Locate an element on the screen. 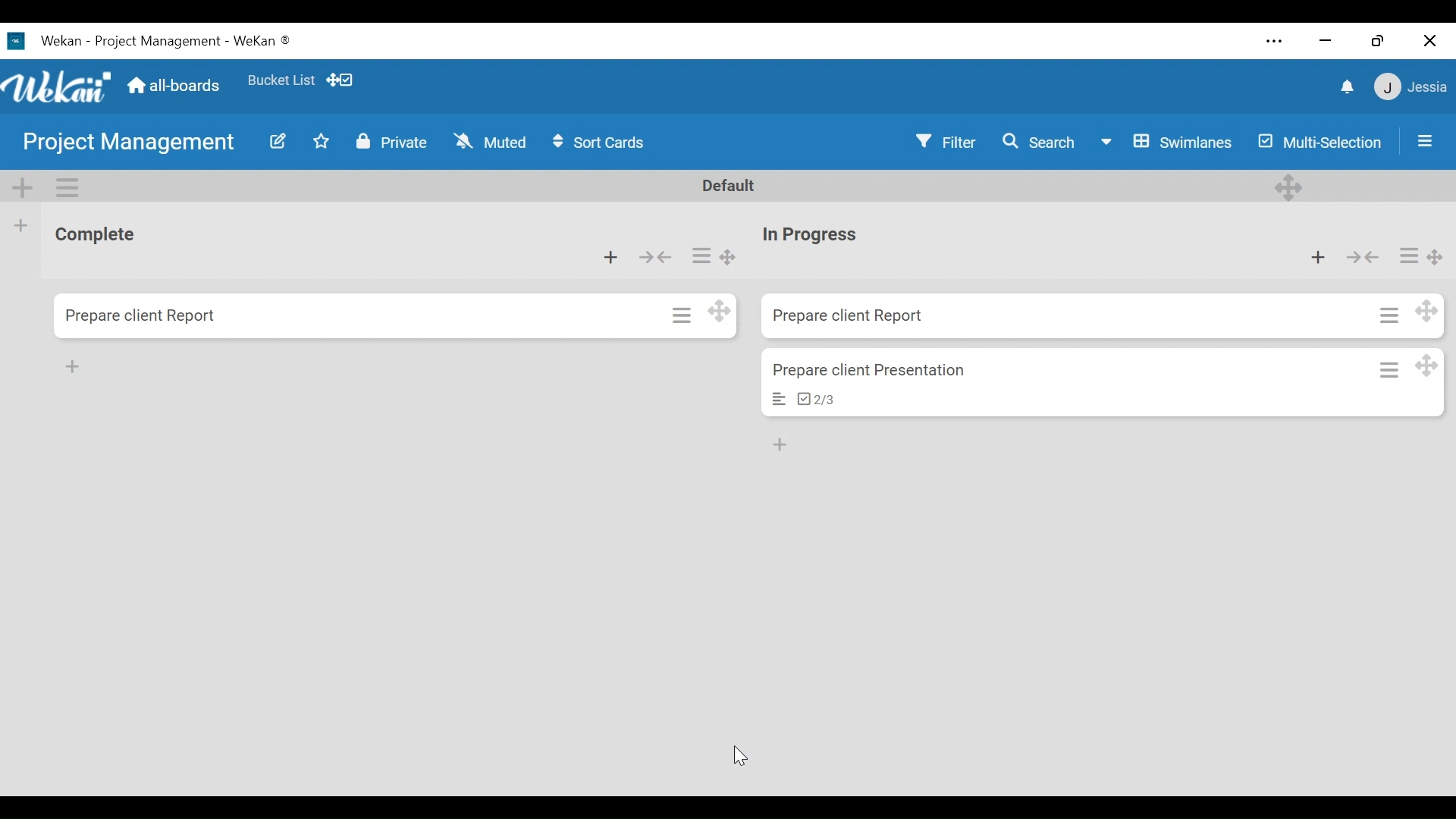  Edit is located at coordinates (280, 141).